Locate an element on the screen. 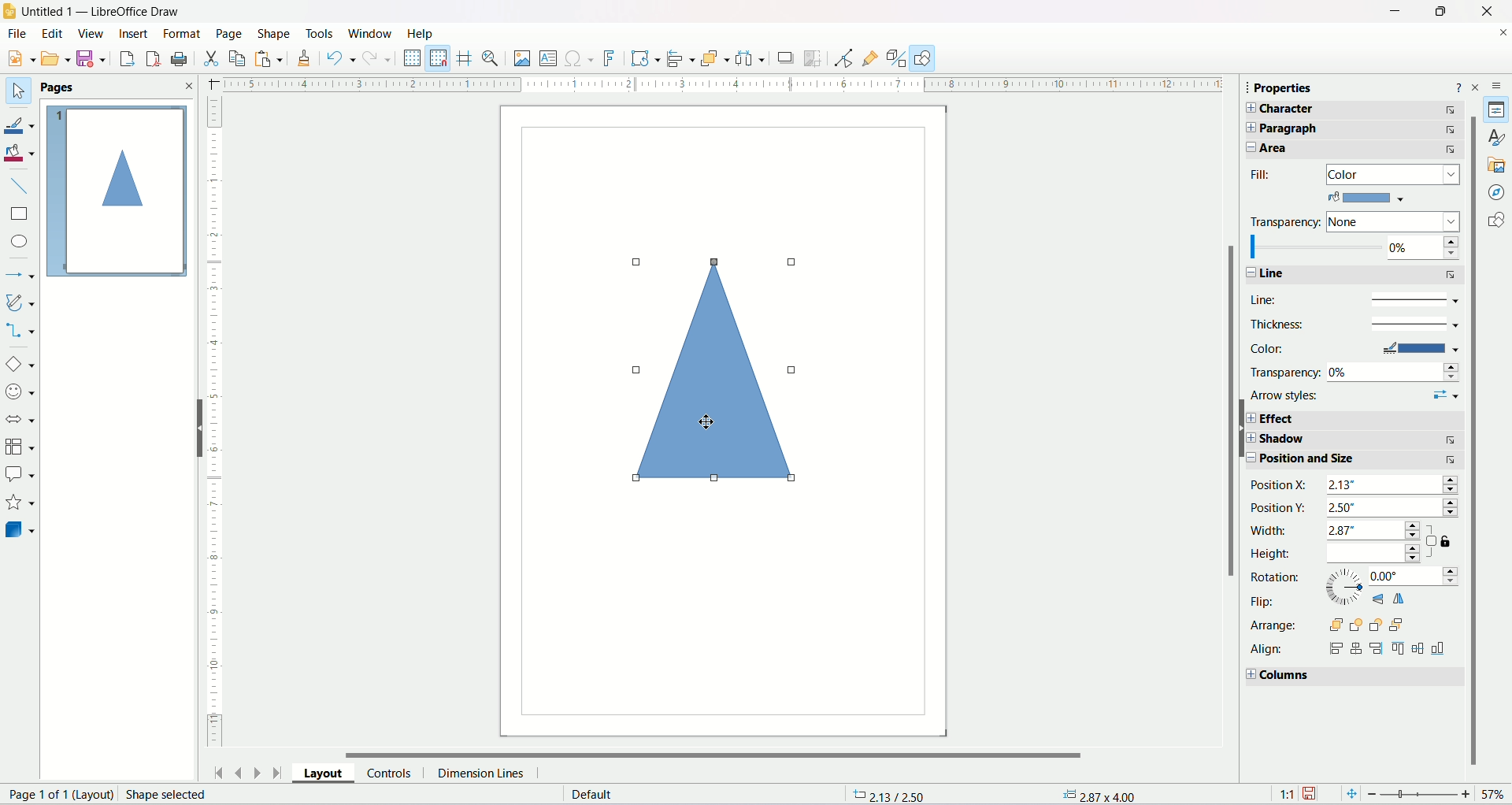 This screenshot has height=805, width=1512. Curves and Polygons is located at coordinates (20, 302).